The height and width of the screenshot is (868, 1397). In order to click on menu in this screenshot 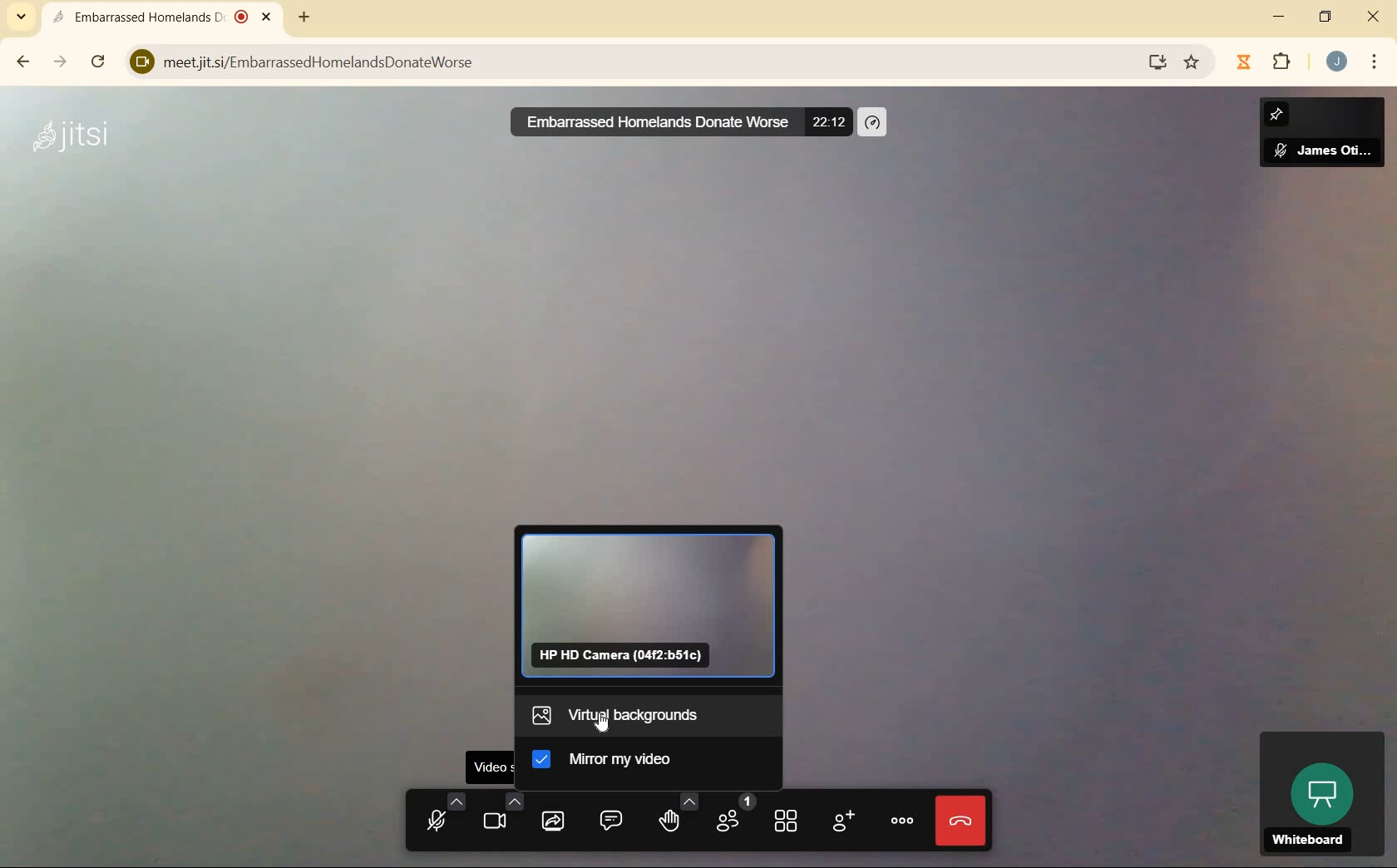, I will do `click(1375, 64)`.